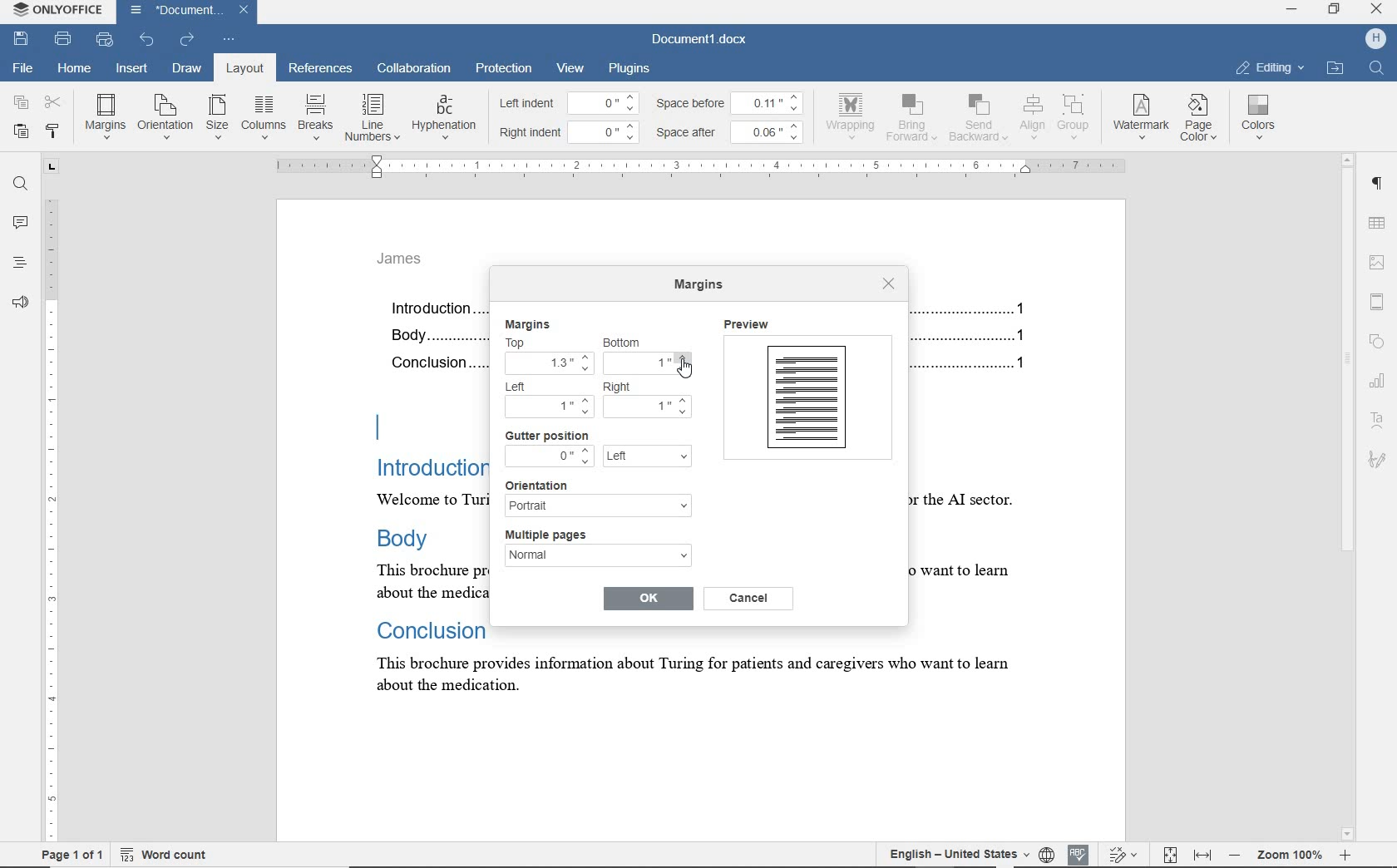 This screenshot has height=868, width=1397. What do you see at coordinates (914, 121) in the screenshot?
I see `bring forward` at bounding box center [914, 121].